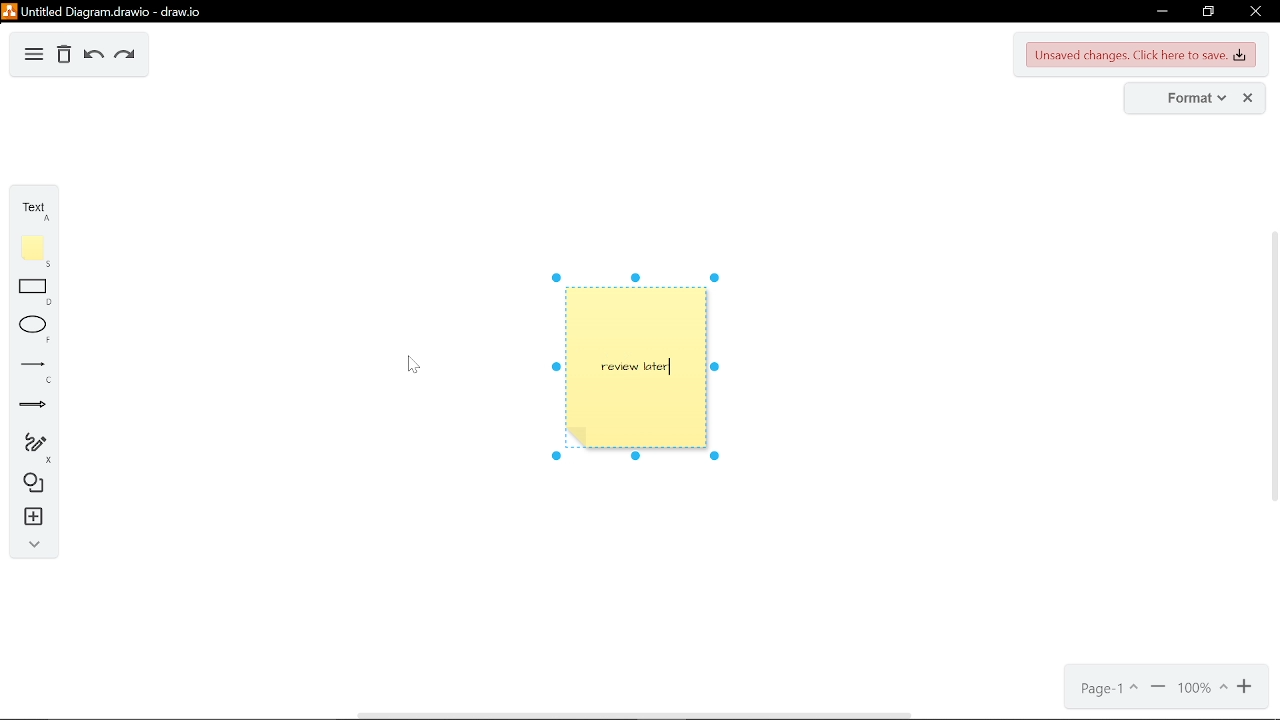  Describe the element at coordinates (1159, 691) in the screenshot. I see `zoom out` at that location.